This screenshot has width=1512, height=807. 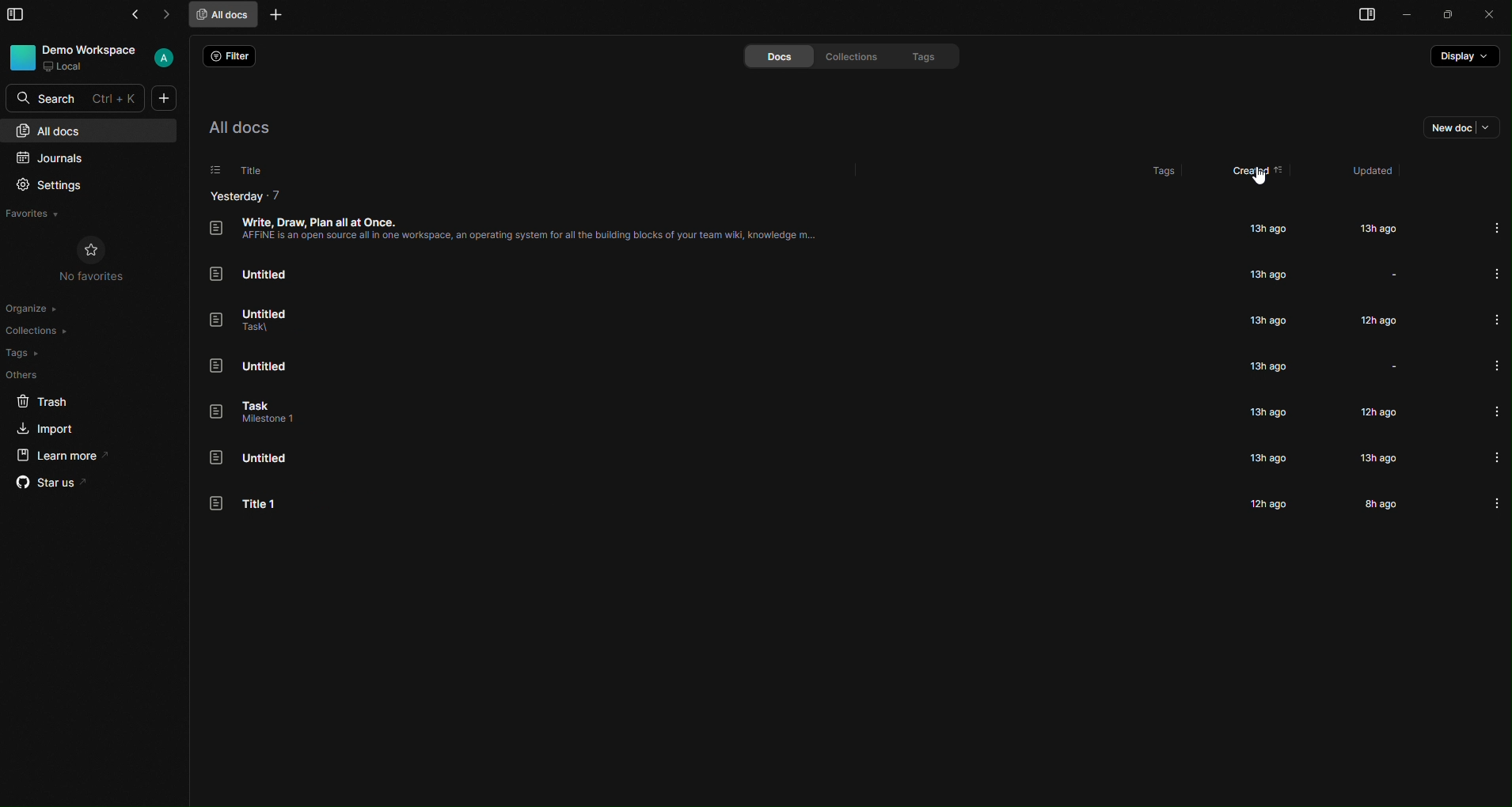 What do you see at coordinates (1358, 16) in the screenshot?
I see `right pane` at bounding box center [1358, 16].